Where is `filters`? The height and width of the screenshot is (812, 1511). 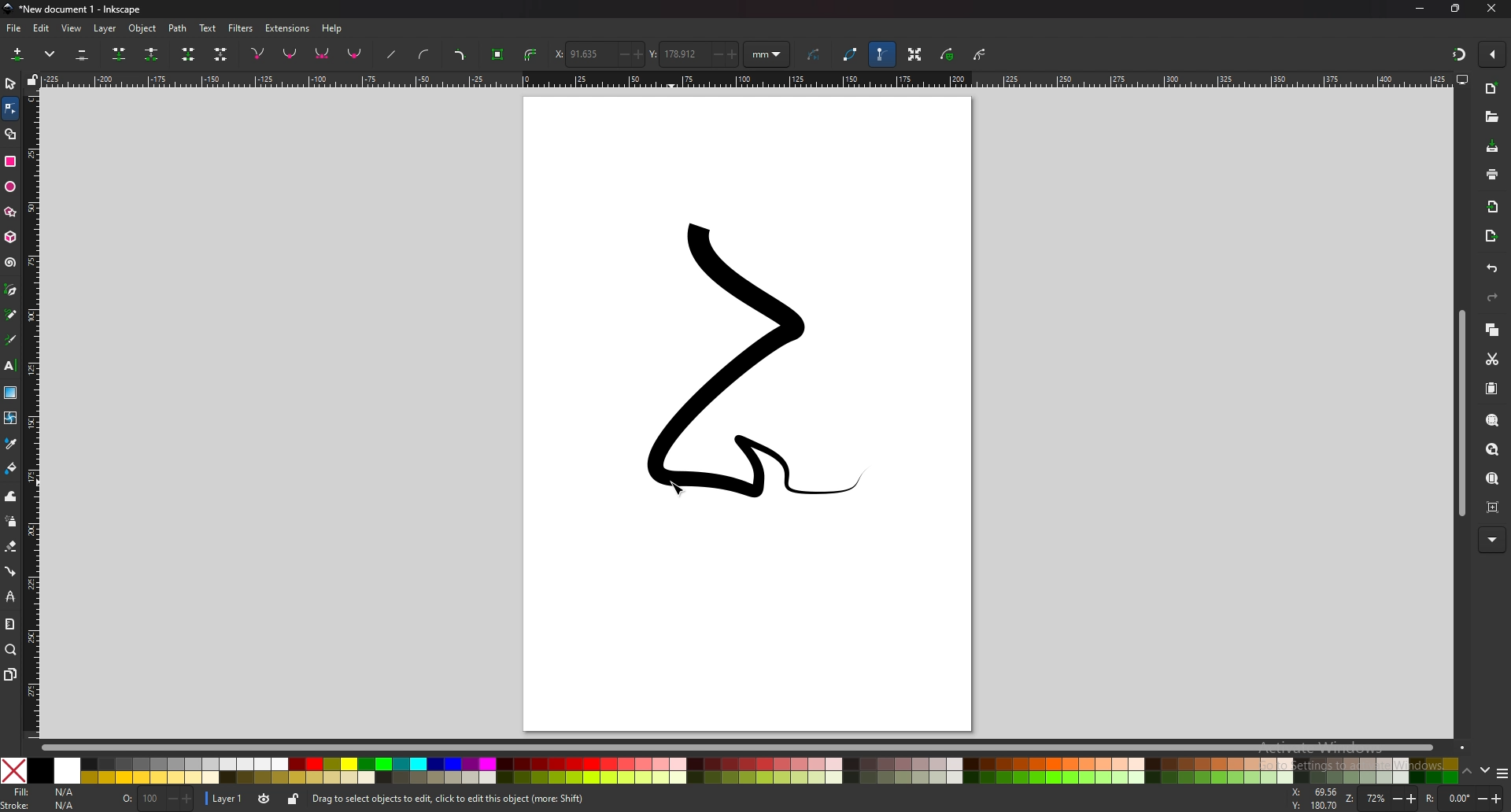 filters is located at coordinates (241, 28).